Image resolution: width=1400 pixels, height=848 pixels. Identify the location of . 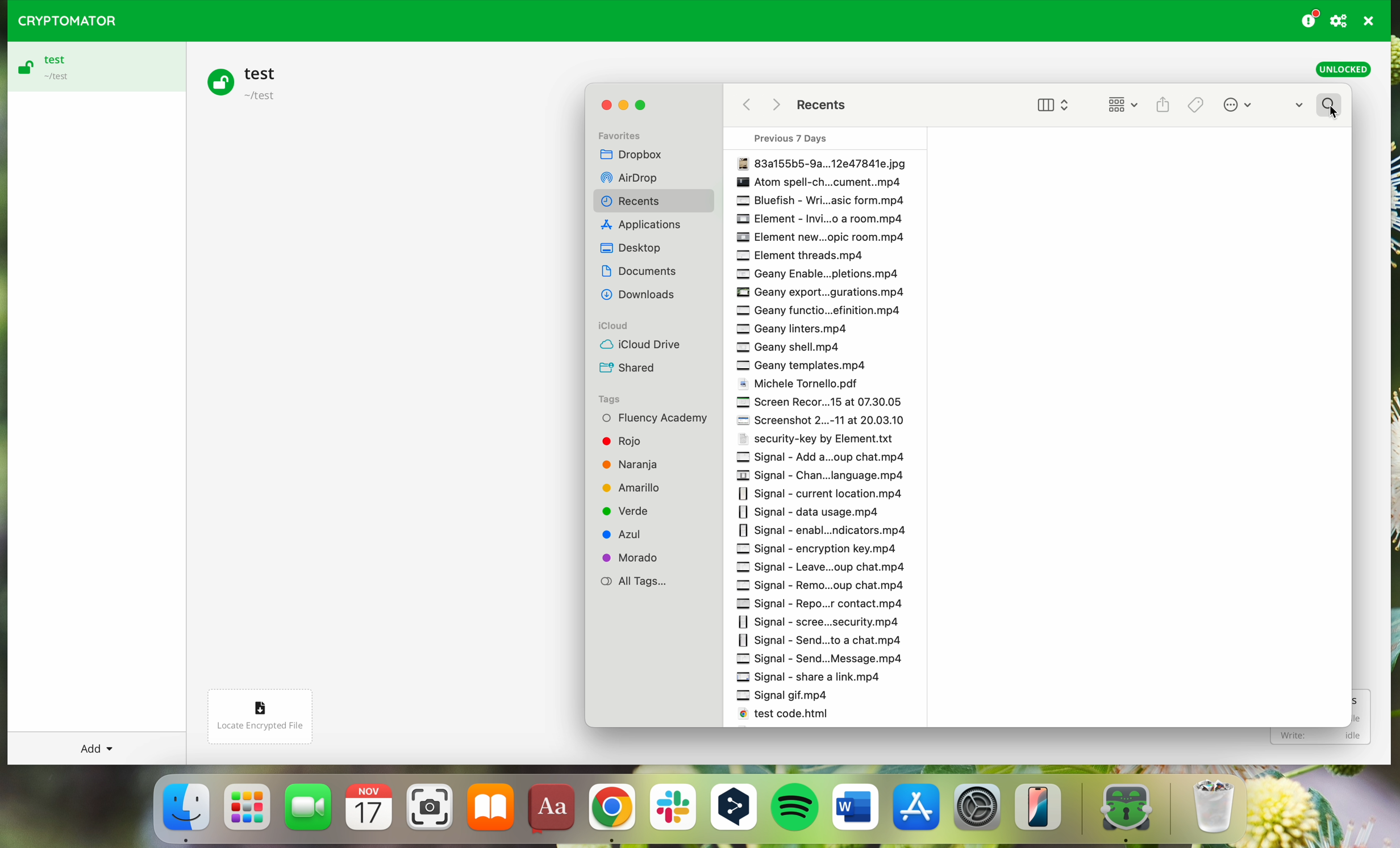
(648, 225).